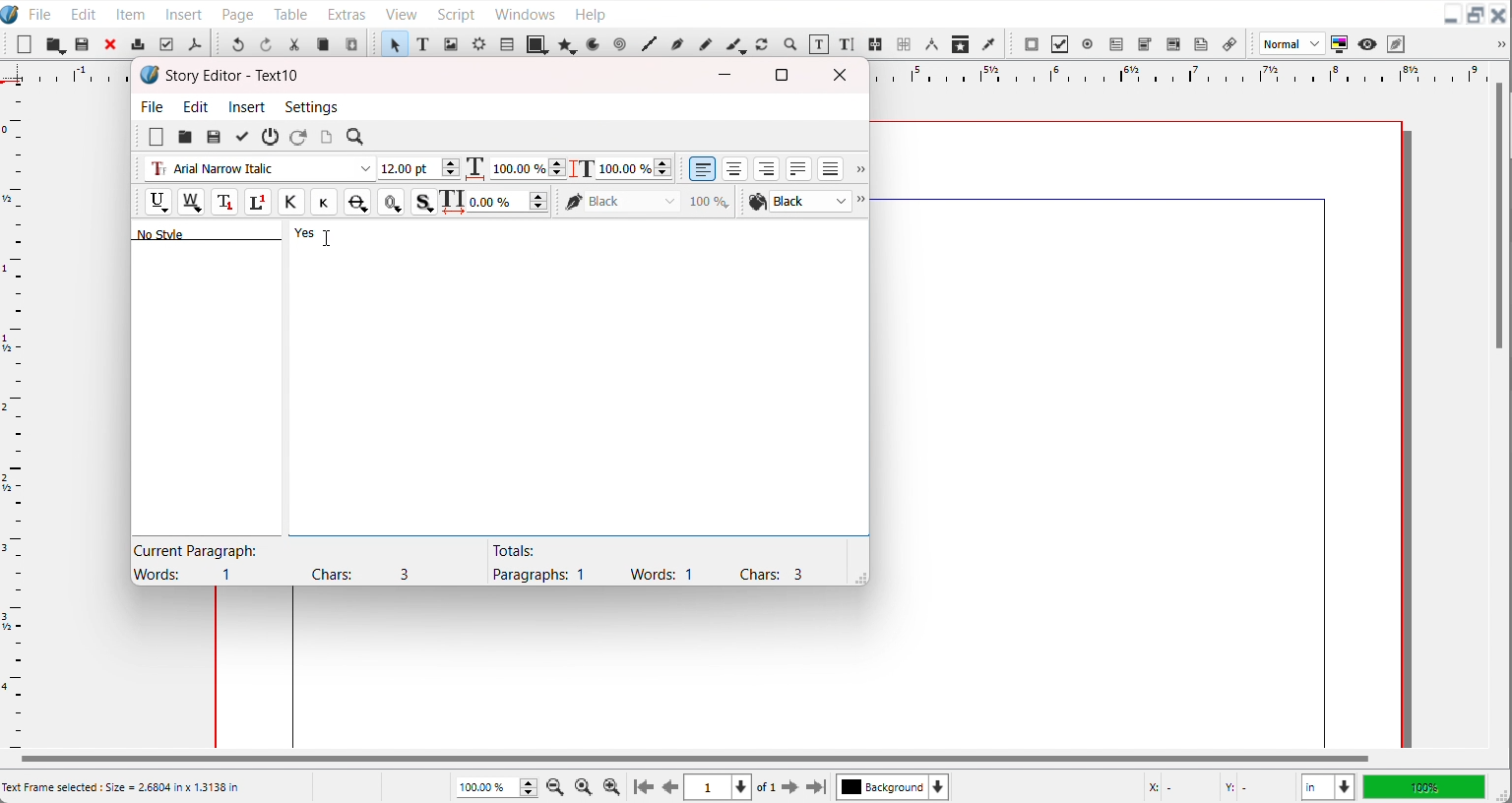  I want to click on Copy, so click(323, 44).